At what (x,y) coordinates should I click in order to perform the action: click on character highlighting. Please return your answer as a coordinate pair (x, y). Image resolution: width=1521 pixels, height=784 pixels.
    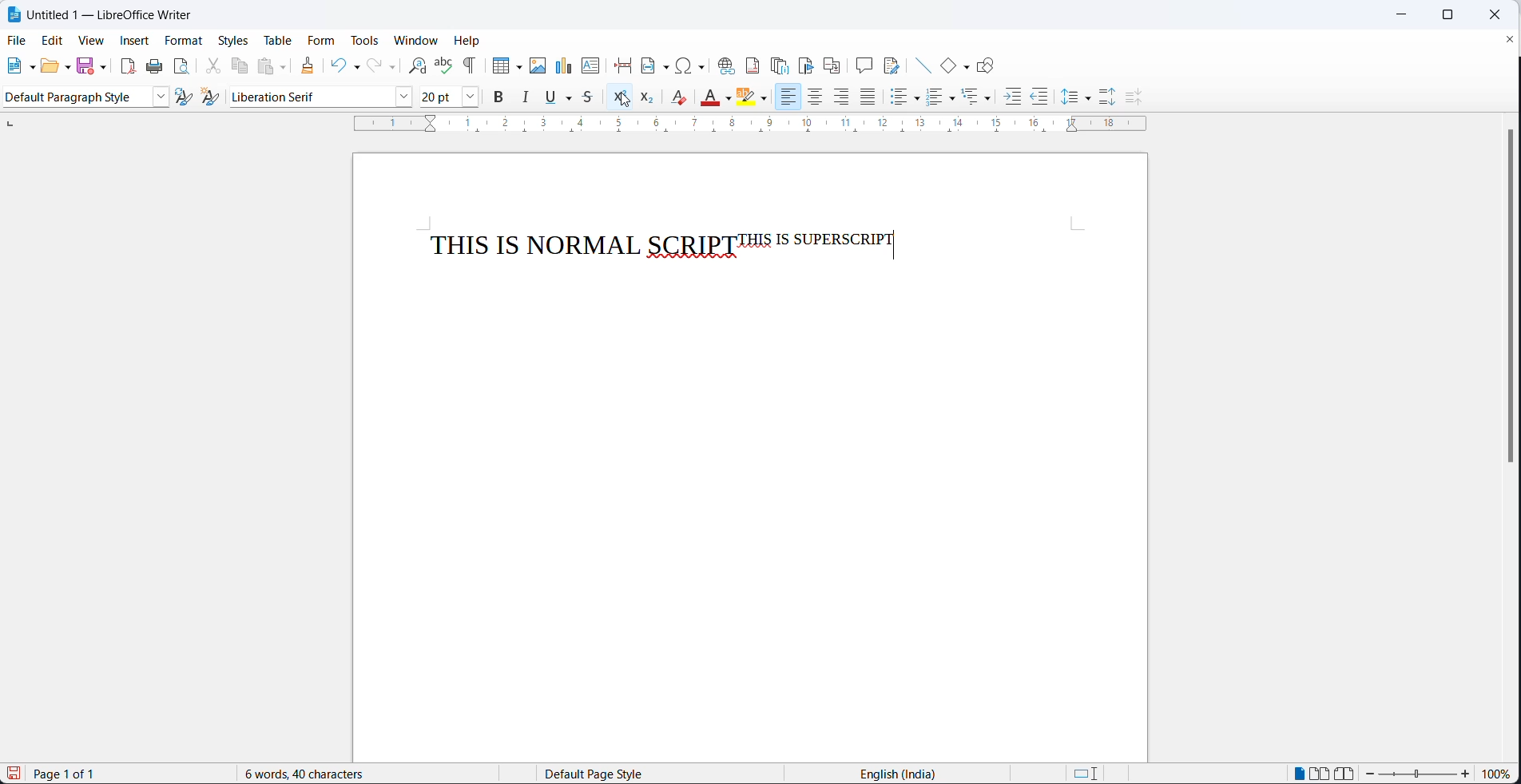
    Looking at the image, I should click on (766, 100).